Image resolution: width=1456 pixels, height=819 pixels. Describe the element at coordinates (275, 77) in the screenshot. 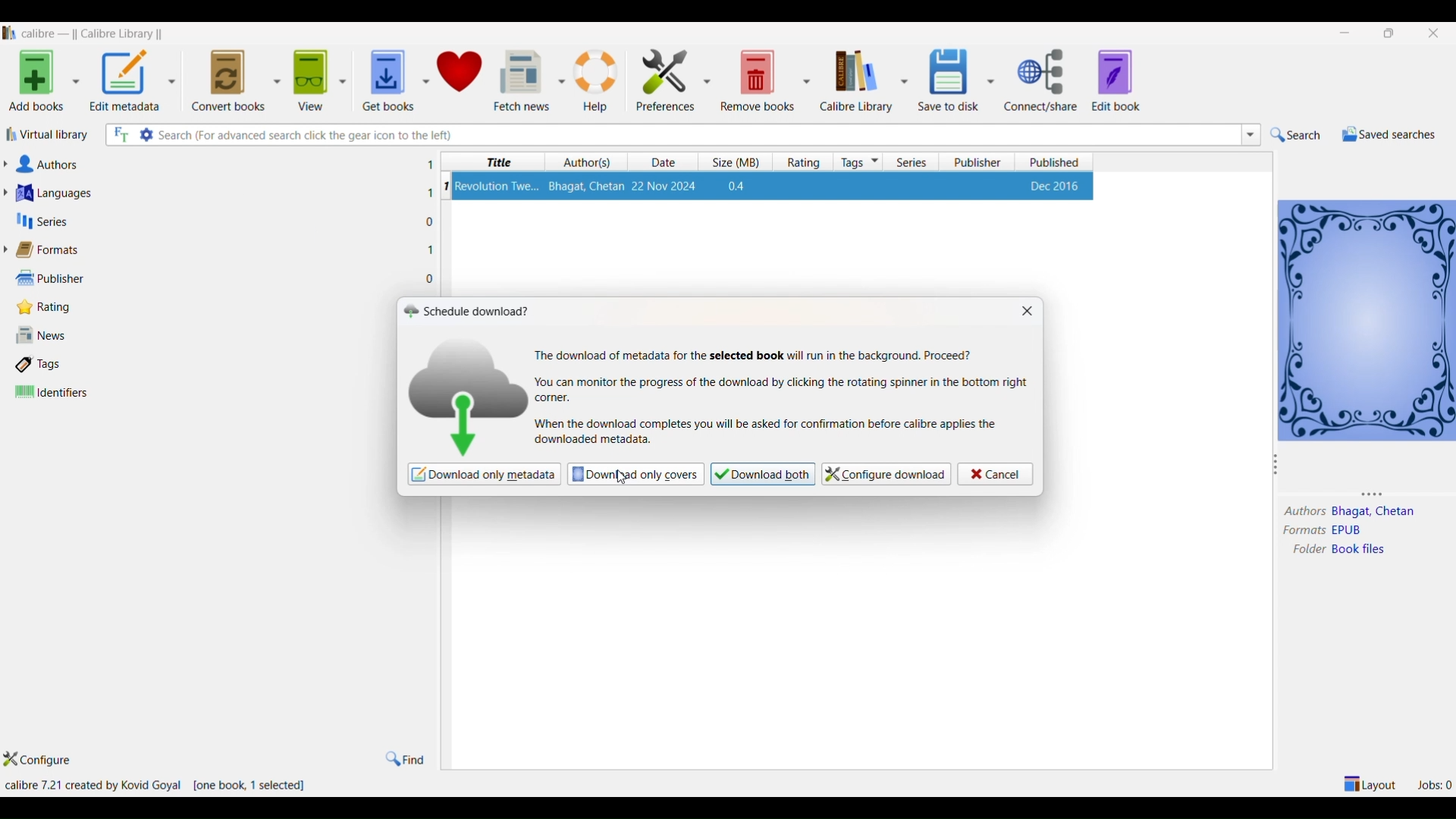

I see `convert books options dropdown button` at that location.